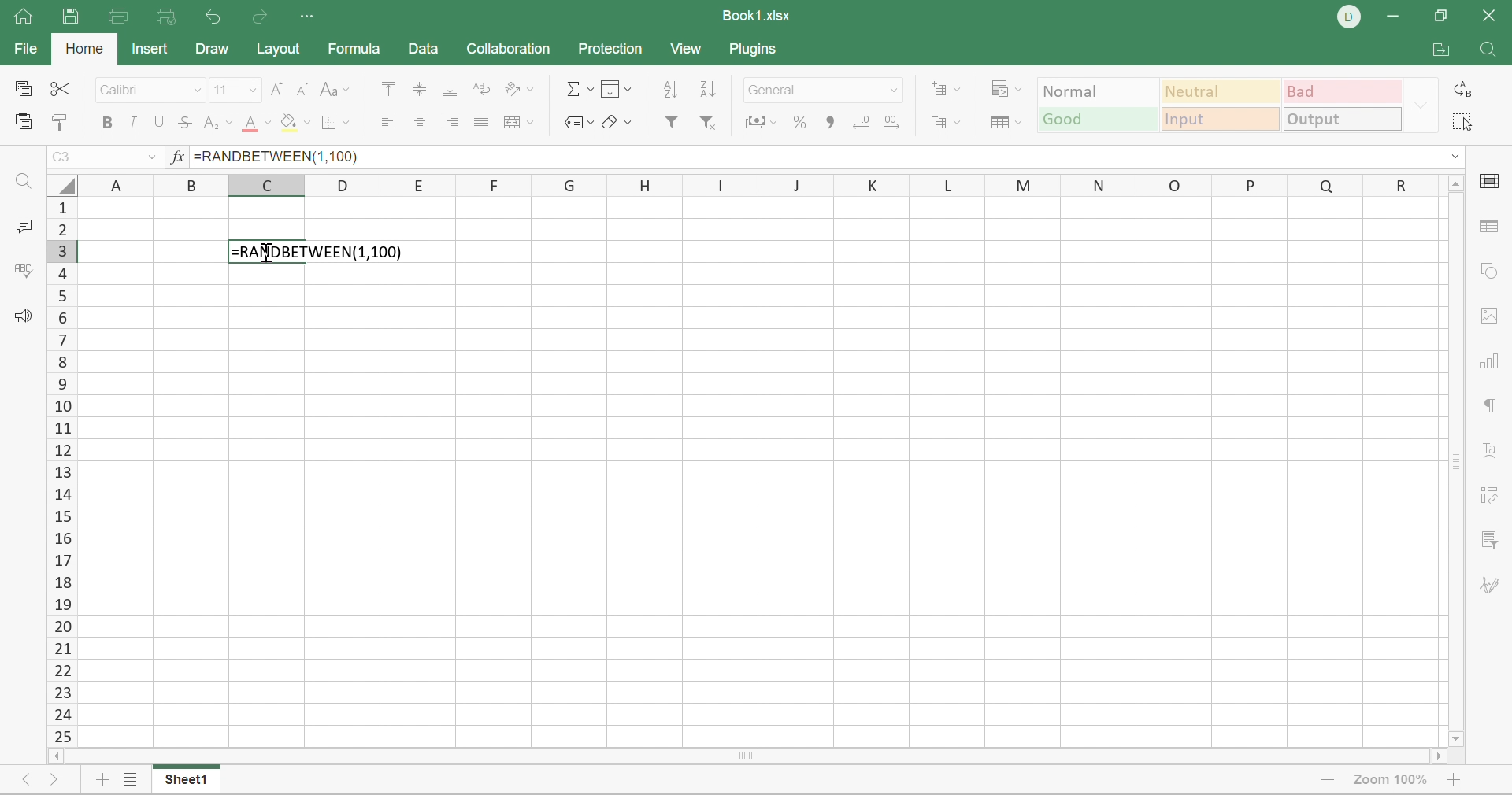 The width and height of the screenshot is (1512, 795). Describe the element at coordinates (63, 158) in the screenshot. I see `C3` at that location.